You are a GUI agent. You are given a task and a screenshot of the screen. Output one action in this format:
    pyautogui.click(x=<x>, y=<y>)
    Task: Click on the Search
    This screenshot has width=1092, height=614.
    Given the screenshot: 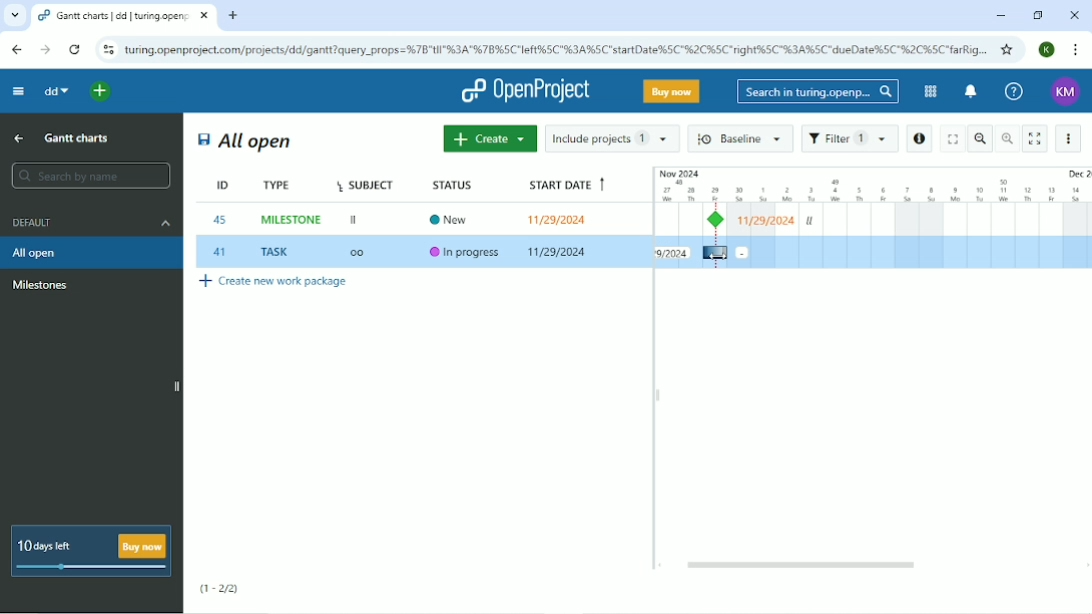 What is the action you would take?
    pyautogui.click(x=817, y=92)
    